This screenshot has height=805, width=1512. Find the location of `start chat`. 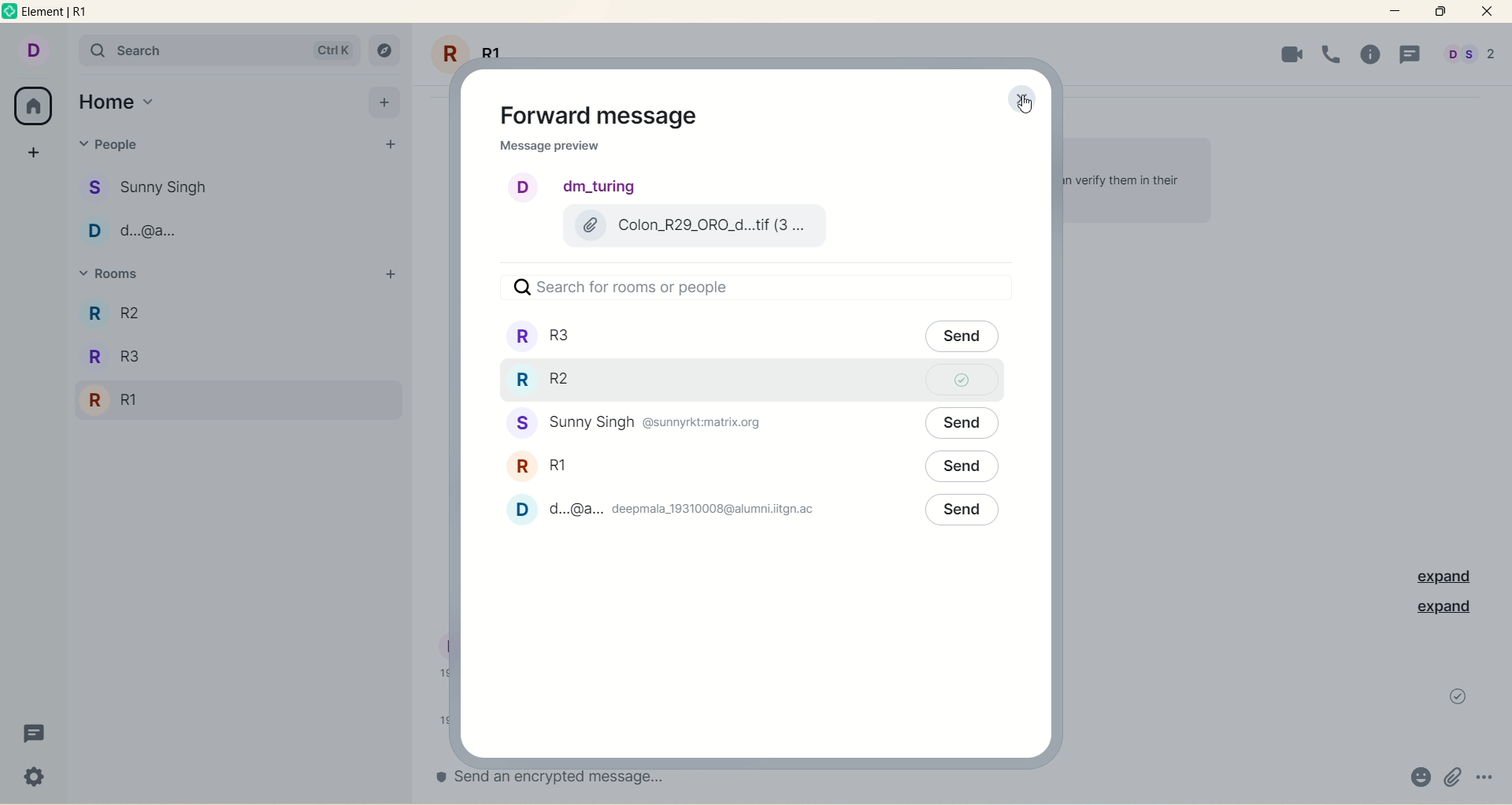

start chat is located at coordinates (388, 146).